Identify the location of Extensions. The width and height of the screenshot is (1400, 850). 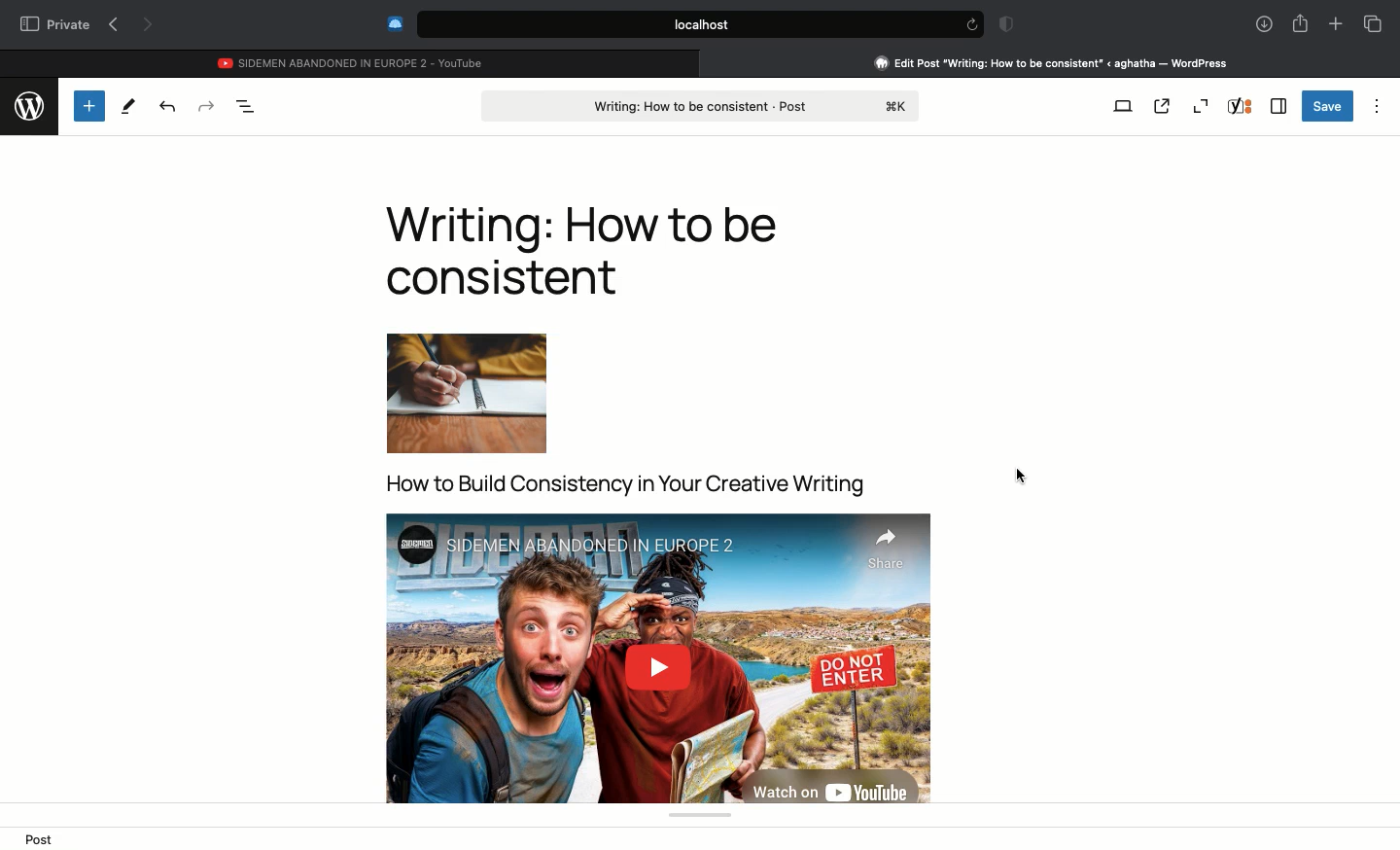
(393, 23).